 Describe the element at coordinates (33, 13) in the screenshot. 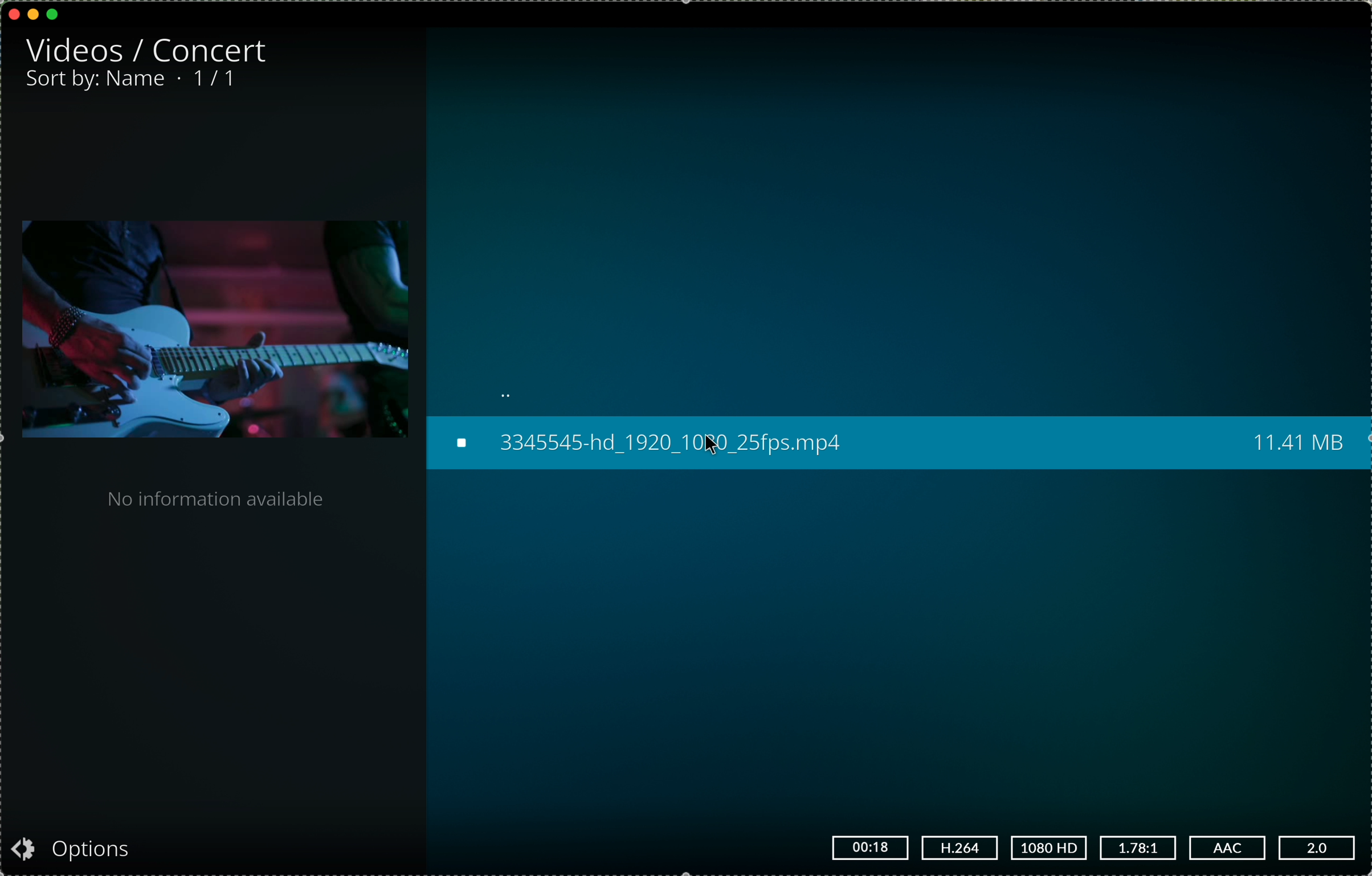

I see `minimise` at that location.